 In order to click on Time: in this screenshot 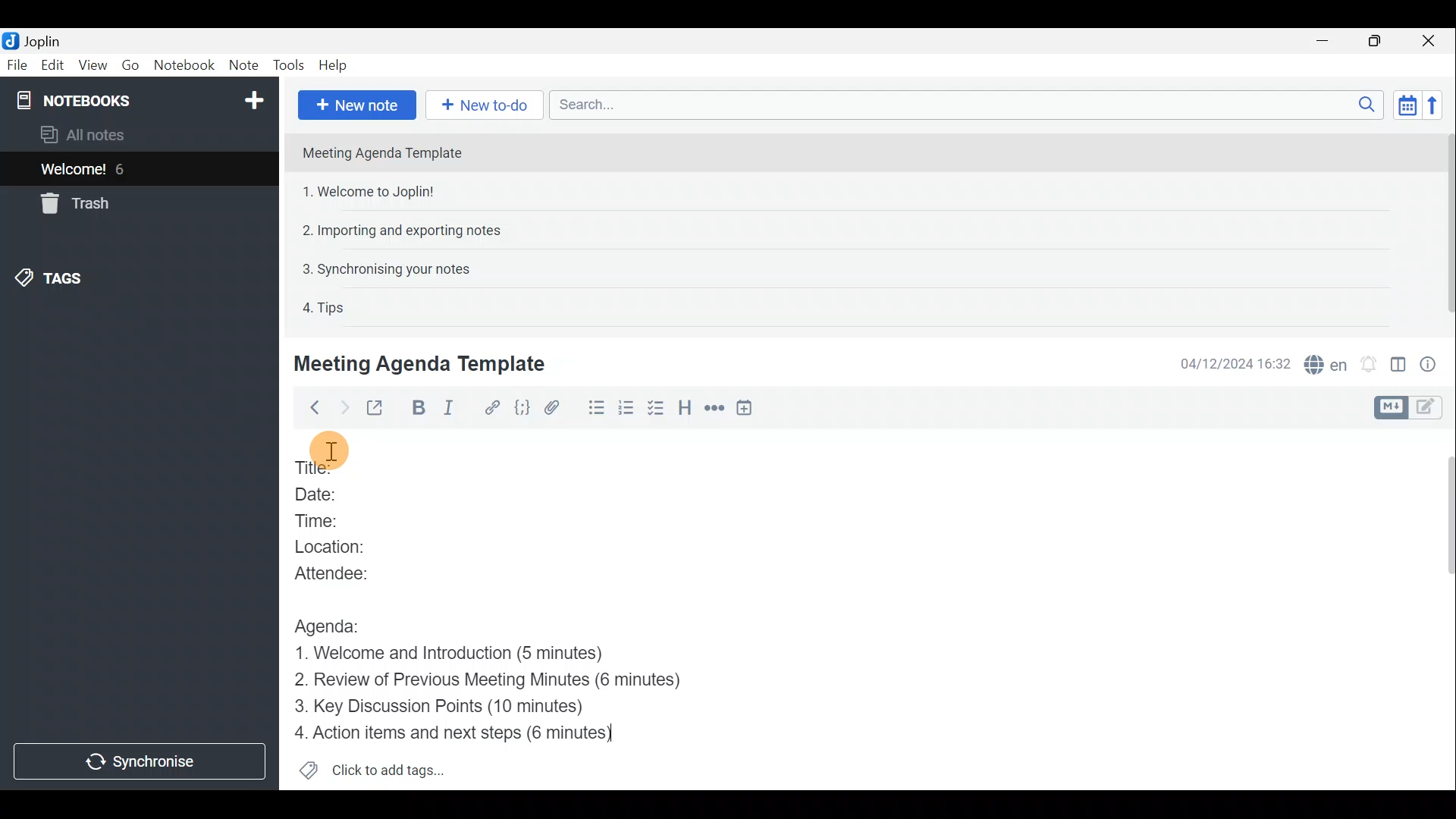, I will do `click(326, 521)`.